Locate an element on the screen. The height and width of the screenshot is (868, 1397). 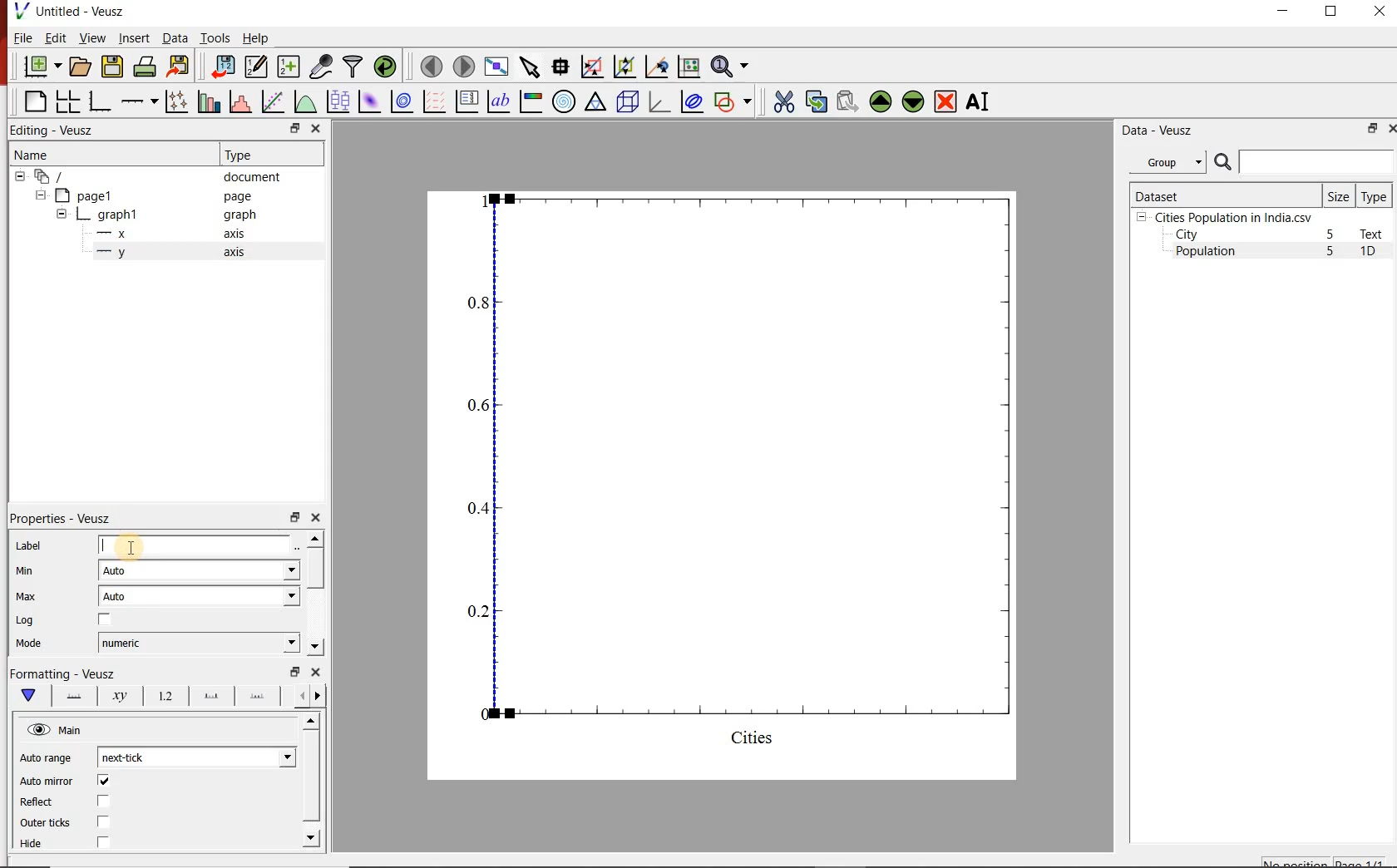
blank page is located at coordinates (33, 102).